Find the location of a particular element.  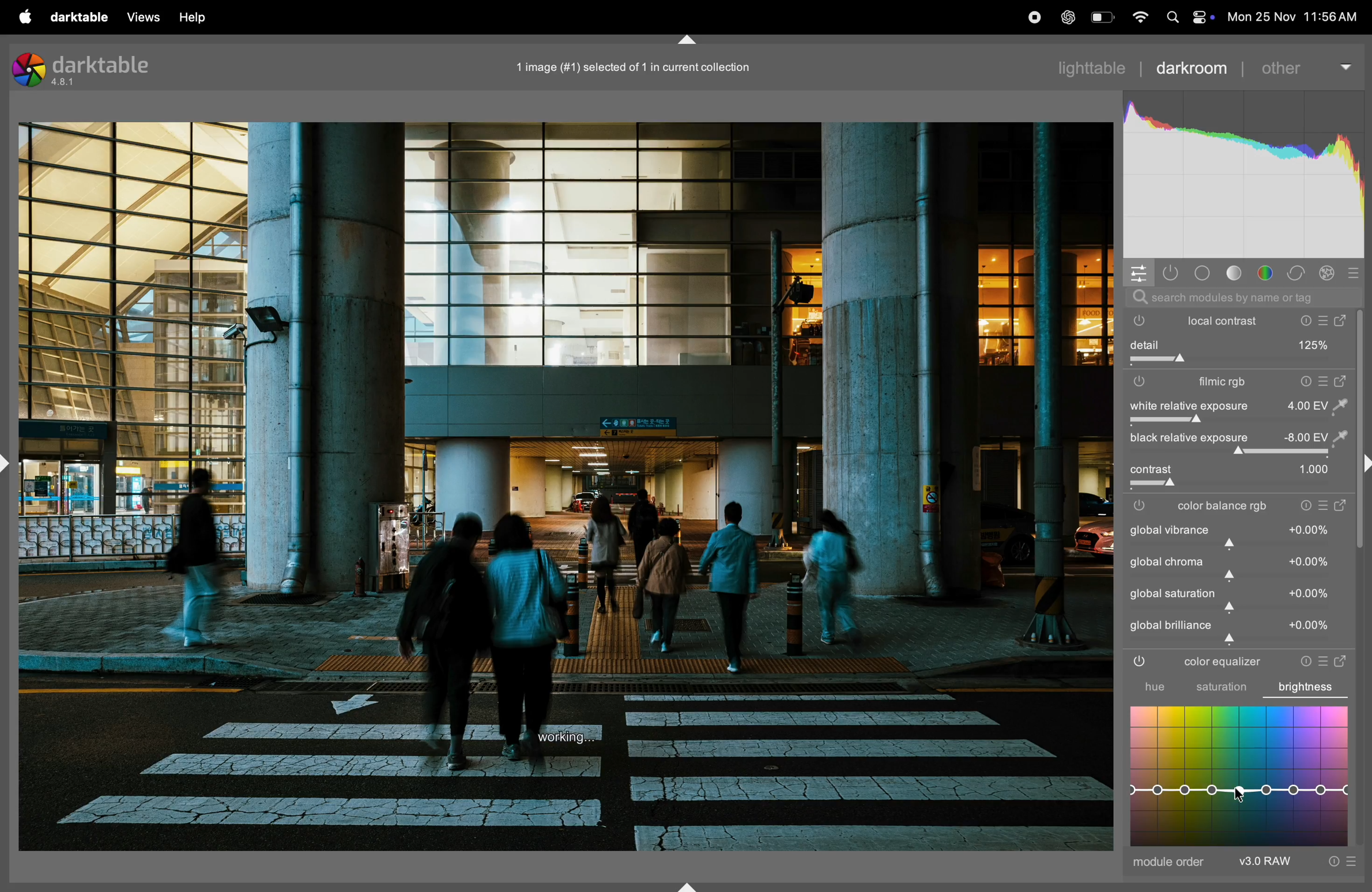

local contrast is switched off is located at coordinates (1136, 322).